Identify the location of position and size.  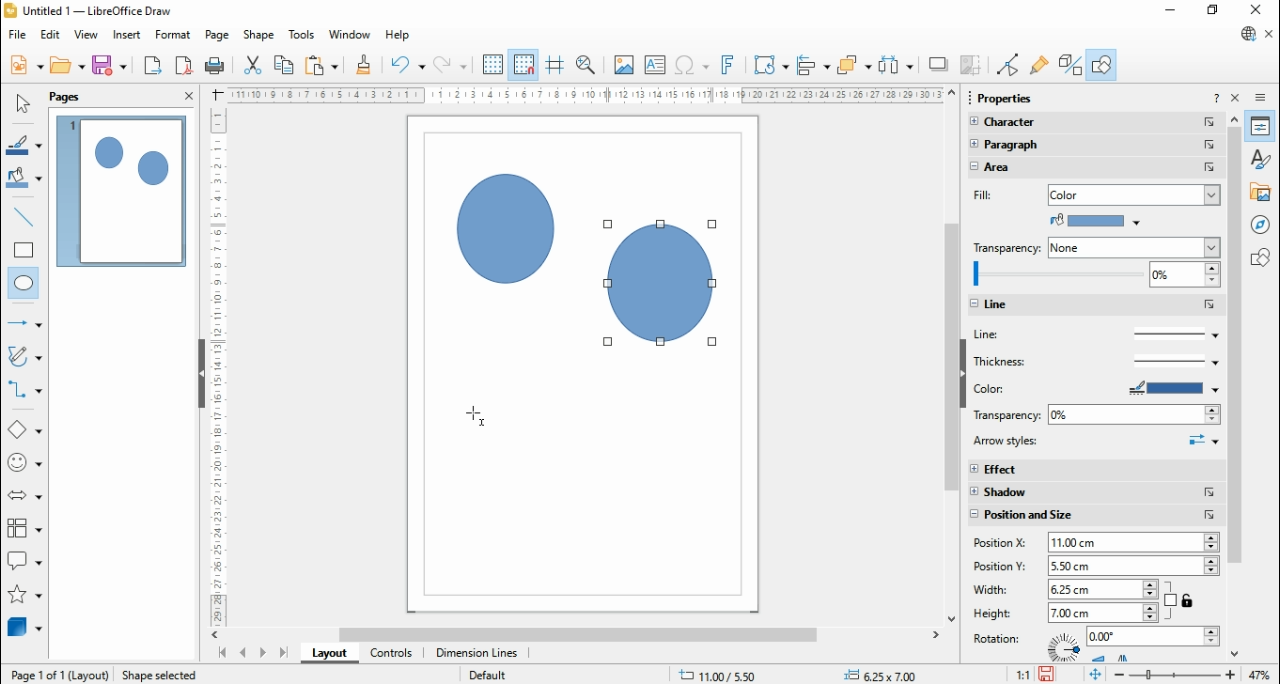
(1094, 517).